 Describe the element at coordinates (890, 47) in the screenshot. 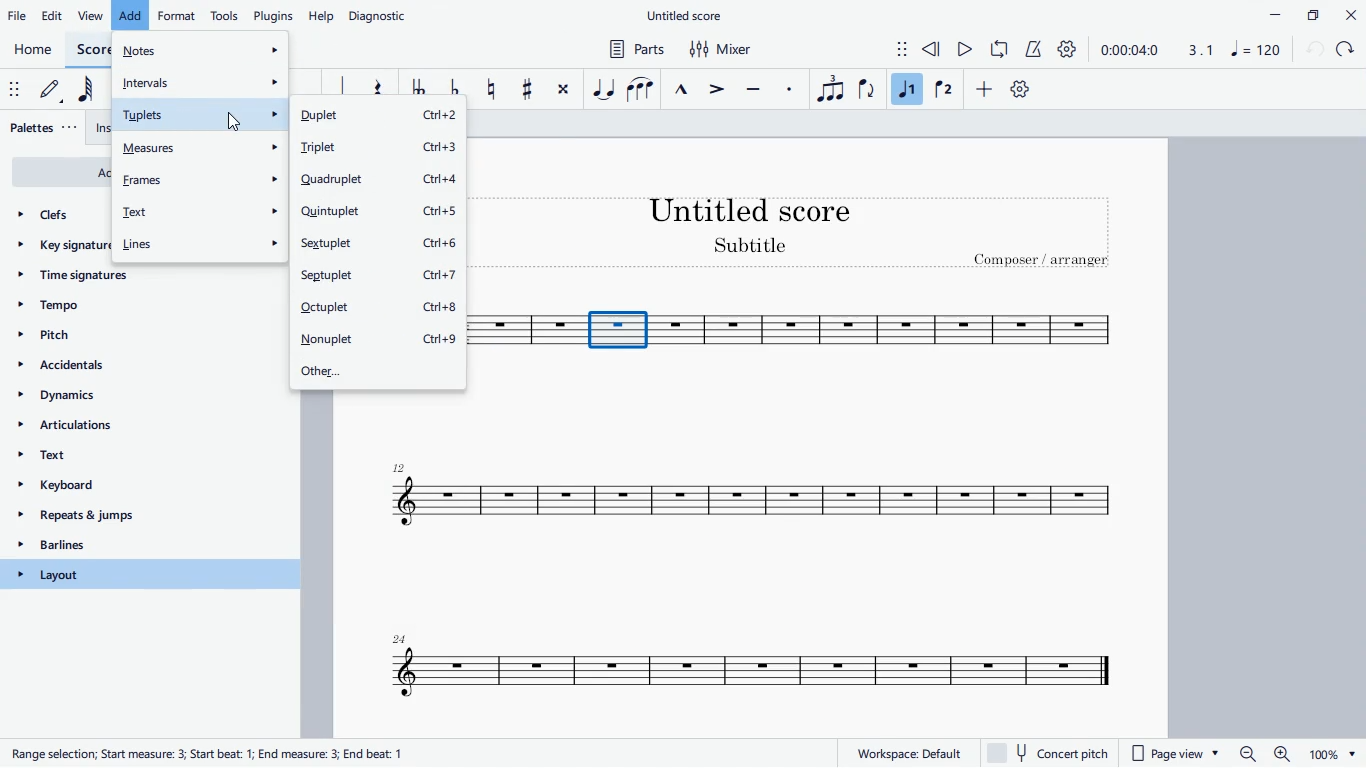

I see `move` at that location.